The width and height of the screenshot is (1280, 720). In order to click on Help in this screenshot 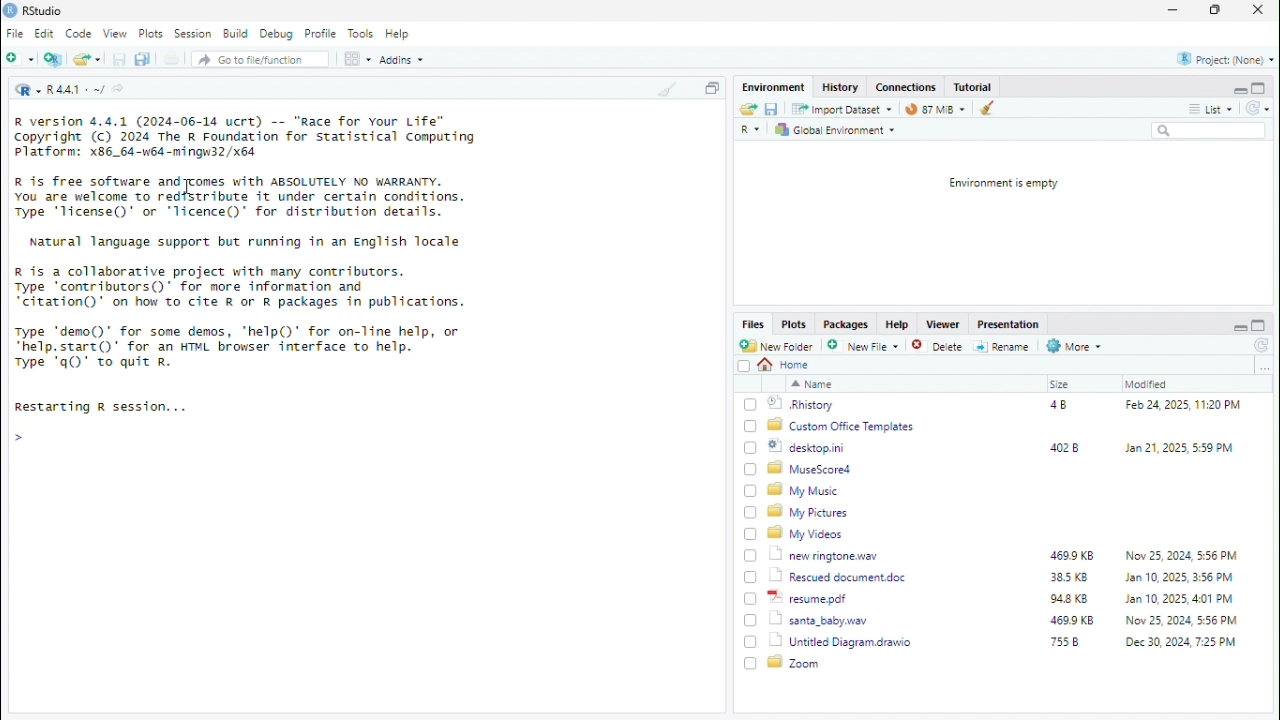, I will do `click(899, 325)`.